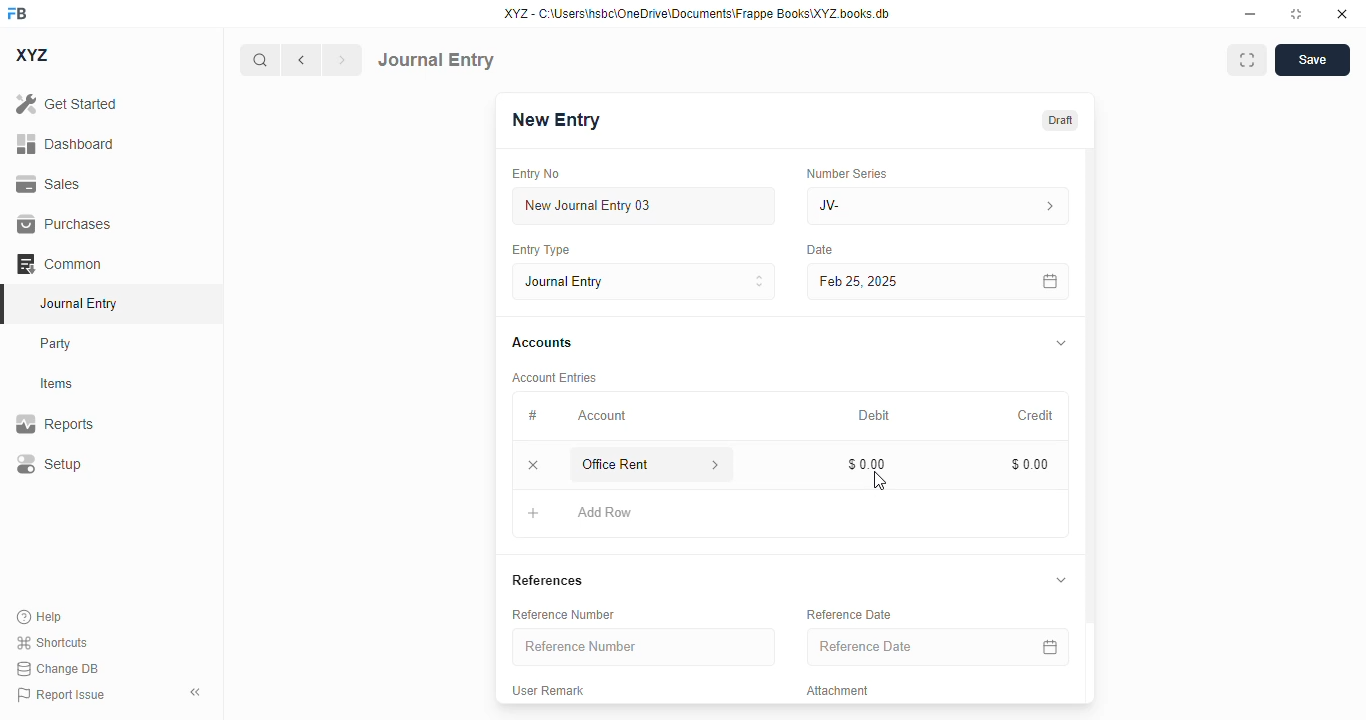  Describe the element at coordinates (1251, 13) in the screenshot. I see `minimize` at that location.